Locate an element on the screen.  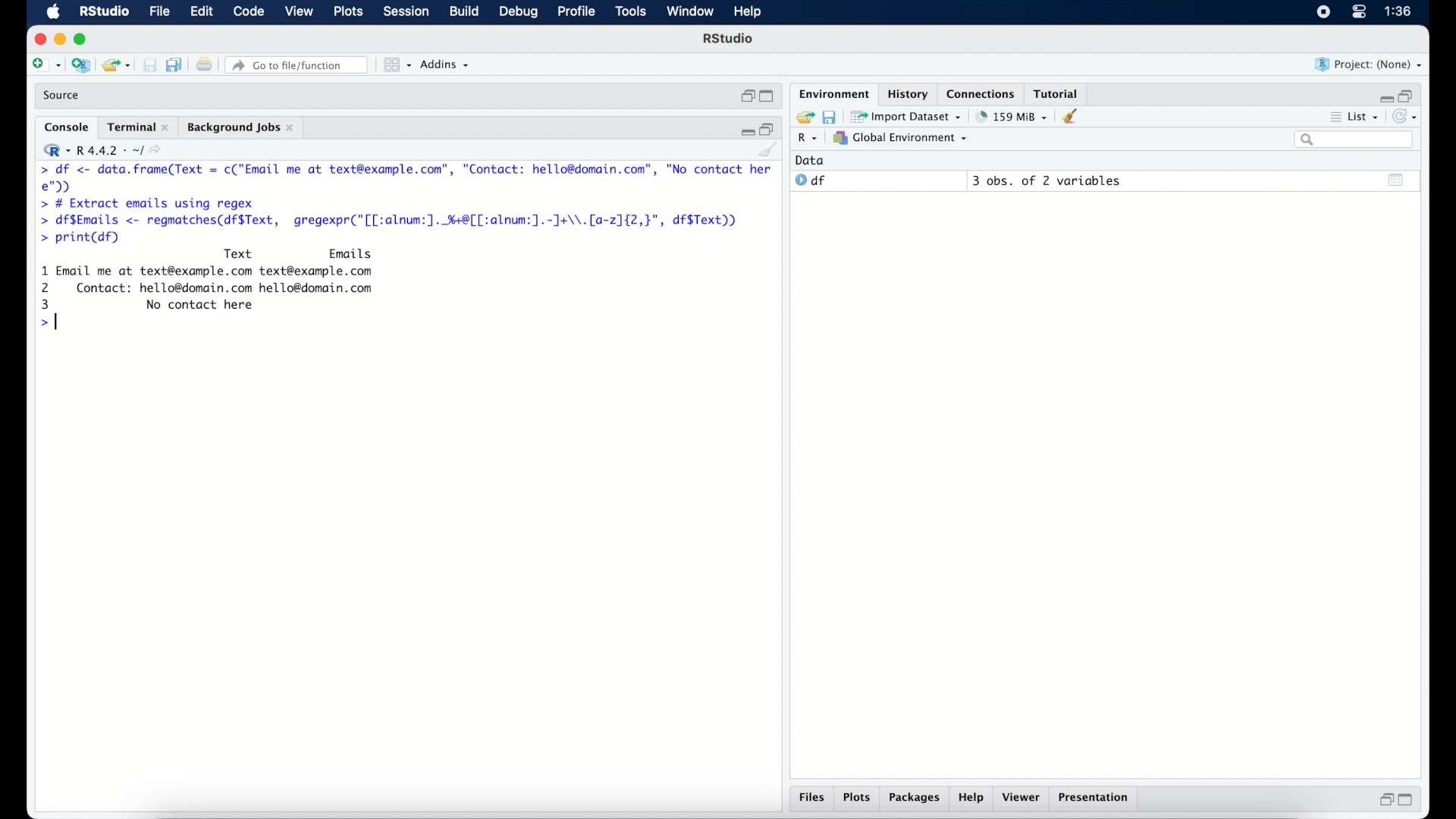
> # Extract emails using regex| is located at coordinates (146, 202).